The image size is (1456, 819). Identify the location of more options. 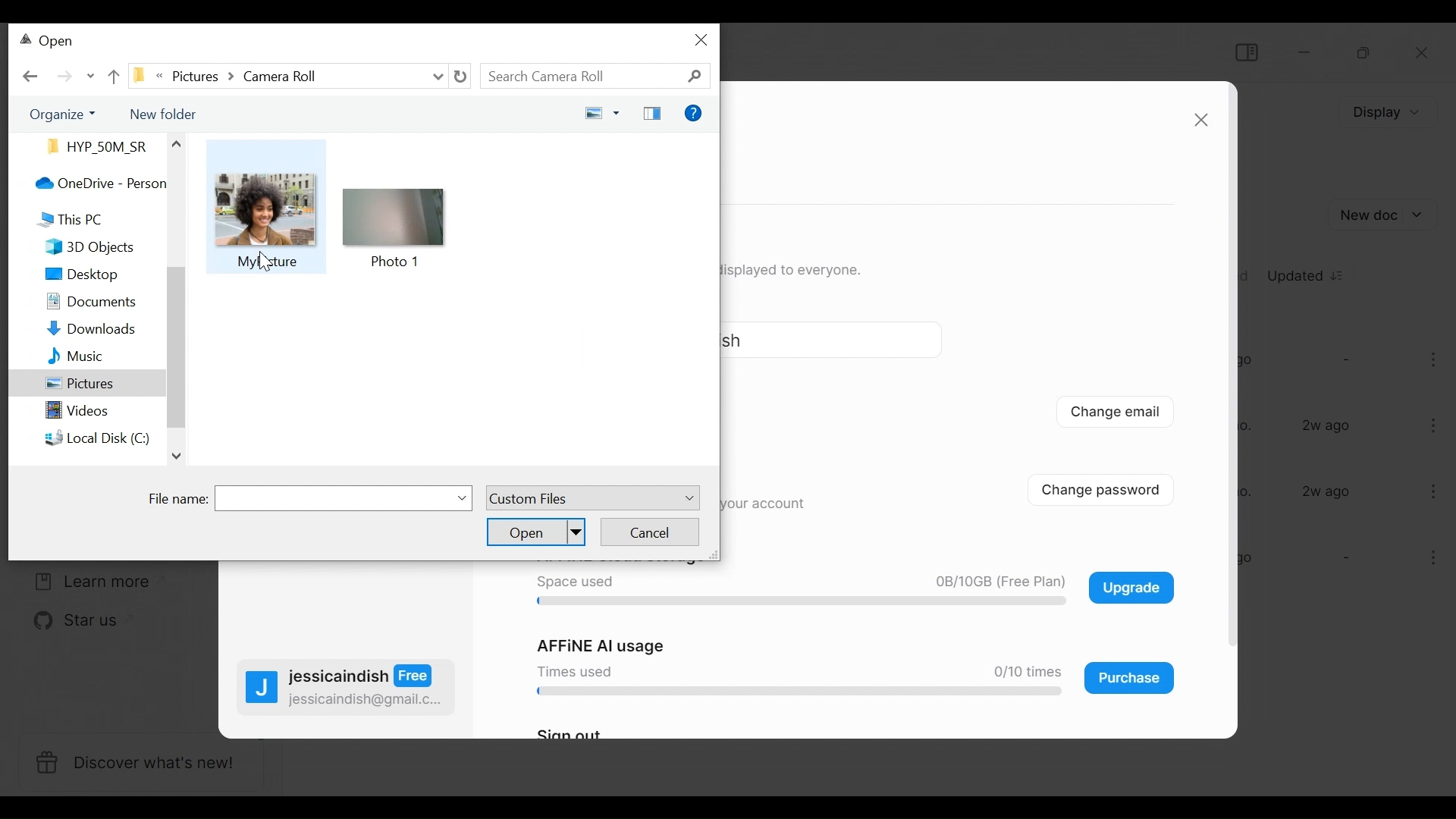
(1436, 362).